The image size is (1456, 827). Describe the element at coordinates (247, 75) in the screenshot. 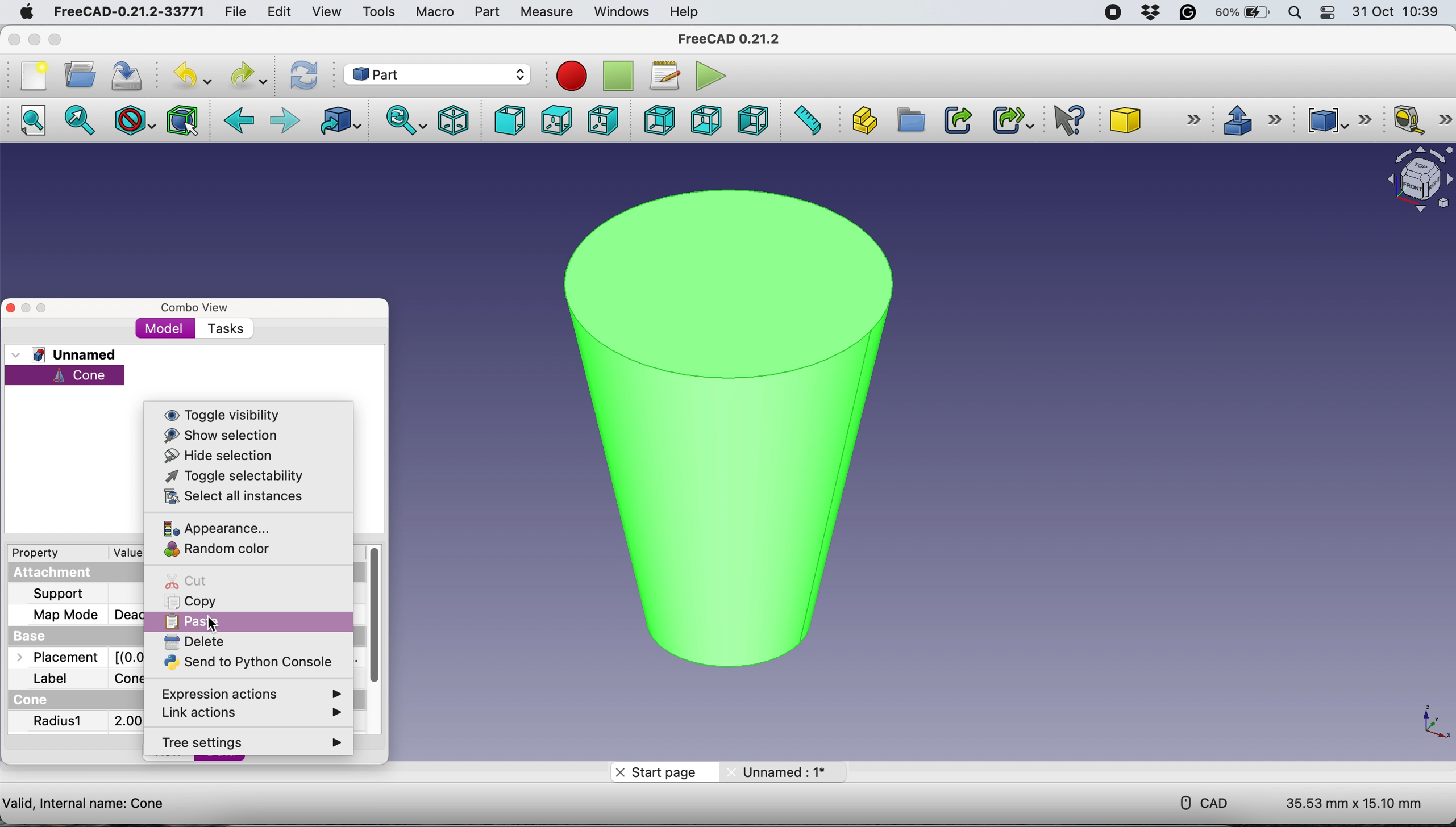

I see `redo` at that location.